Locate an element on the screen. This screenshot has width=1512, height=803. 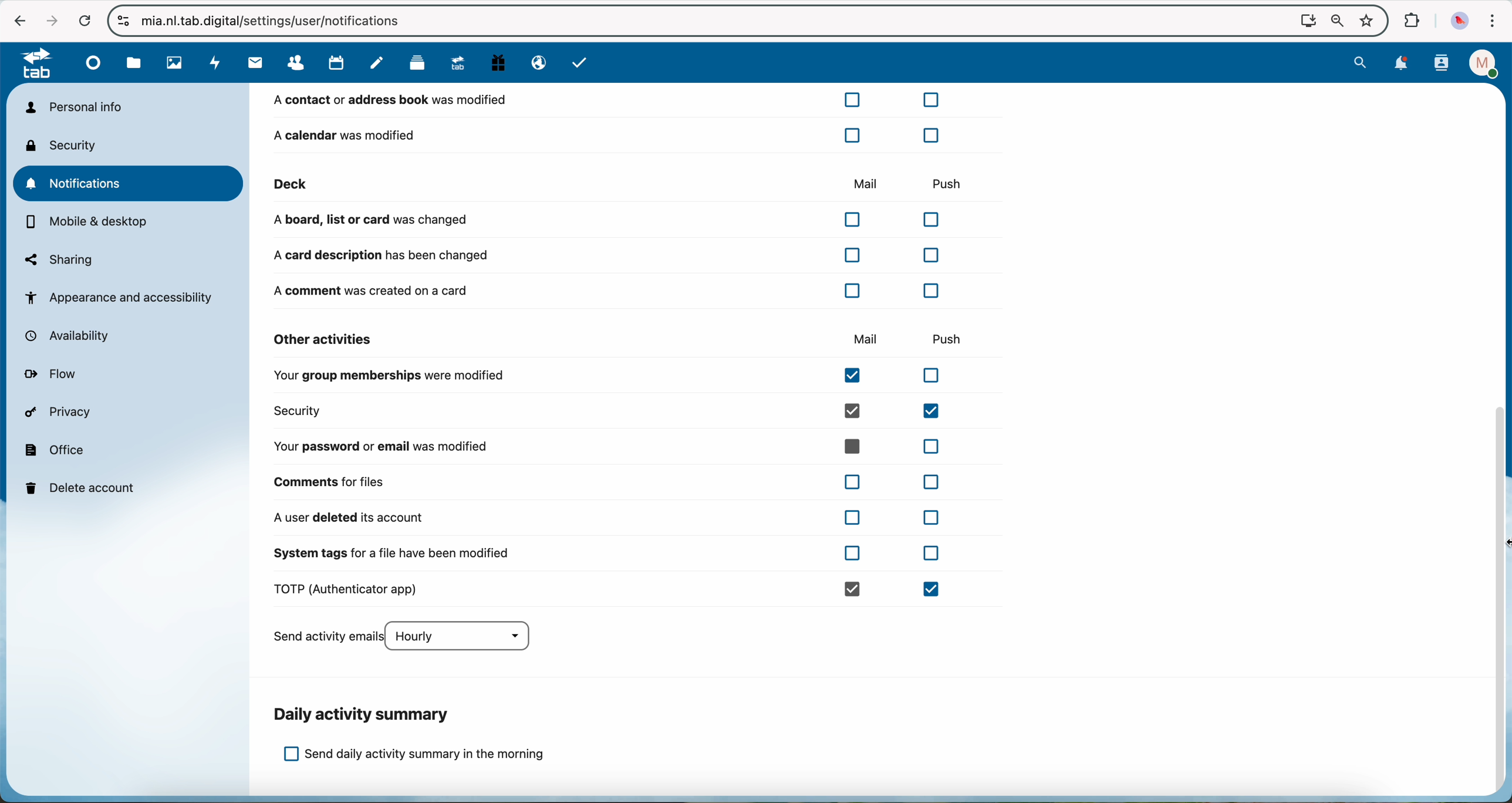
mail is located at coordinates (253, 63).